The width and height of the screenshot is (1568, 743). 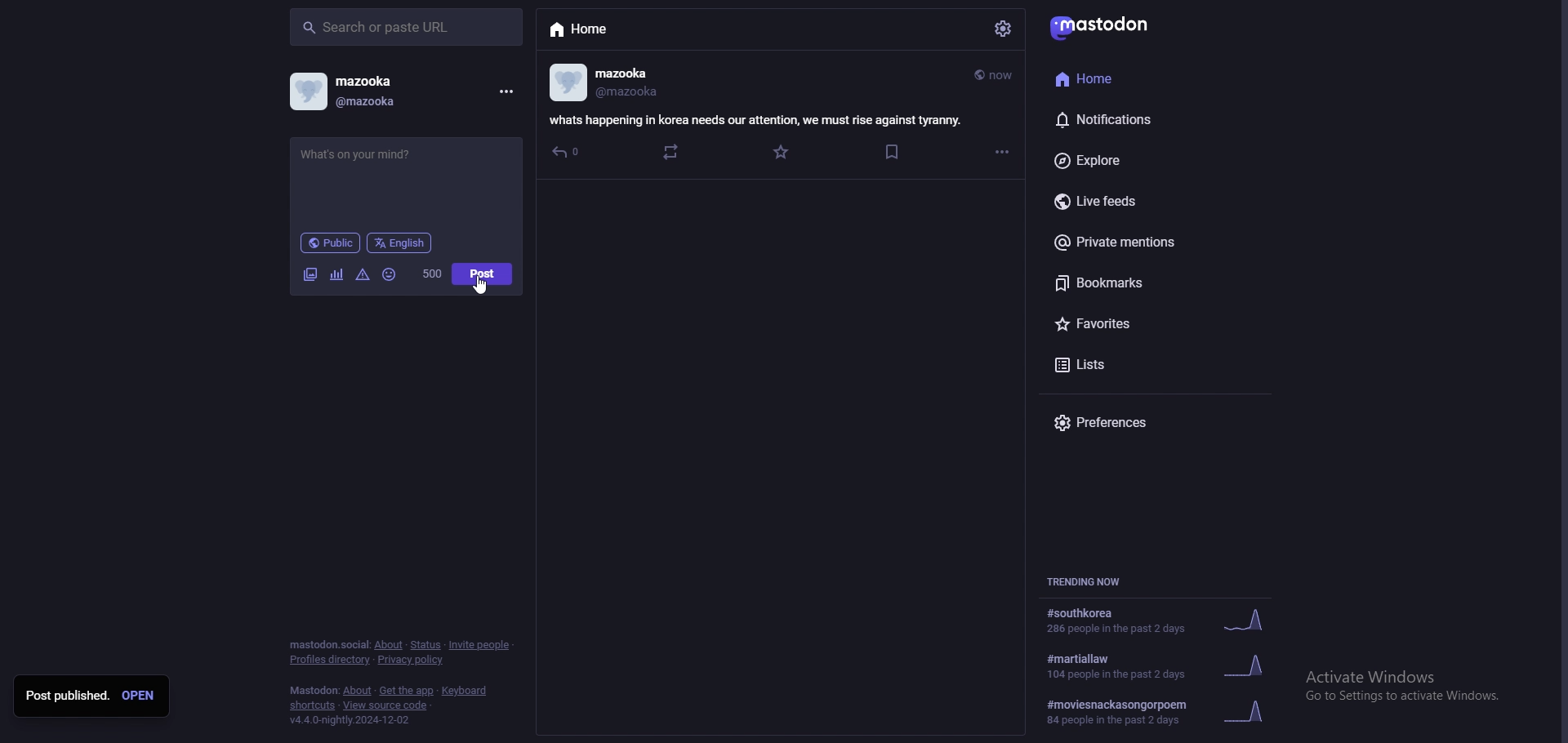 What do you see at coordinates (1142, 422) in the screenshot?
I see `preferences` at bounding box center [1142, 422].